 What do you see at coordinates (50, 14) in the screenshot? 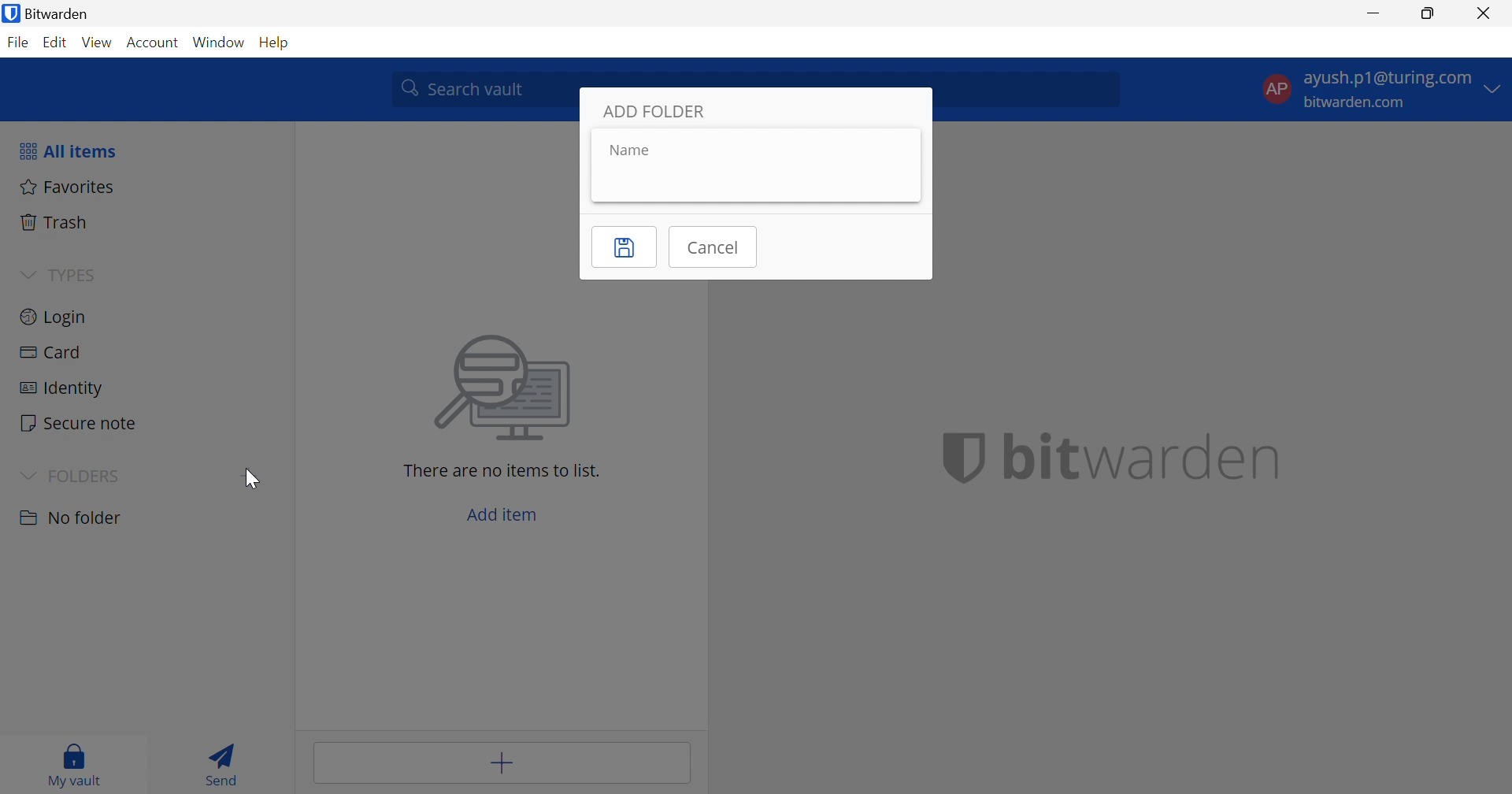
I see `Bitwarden` at bounding box center [50, 14].